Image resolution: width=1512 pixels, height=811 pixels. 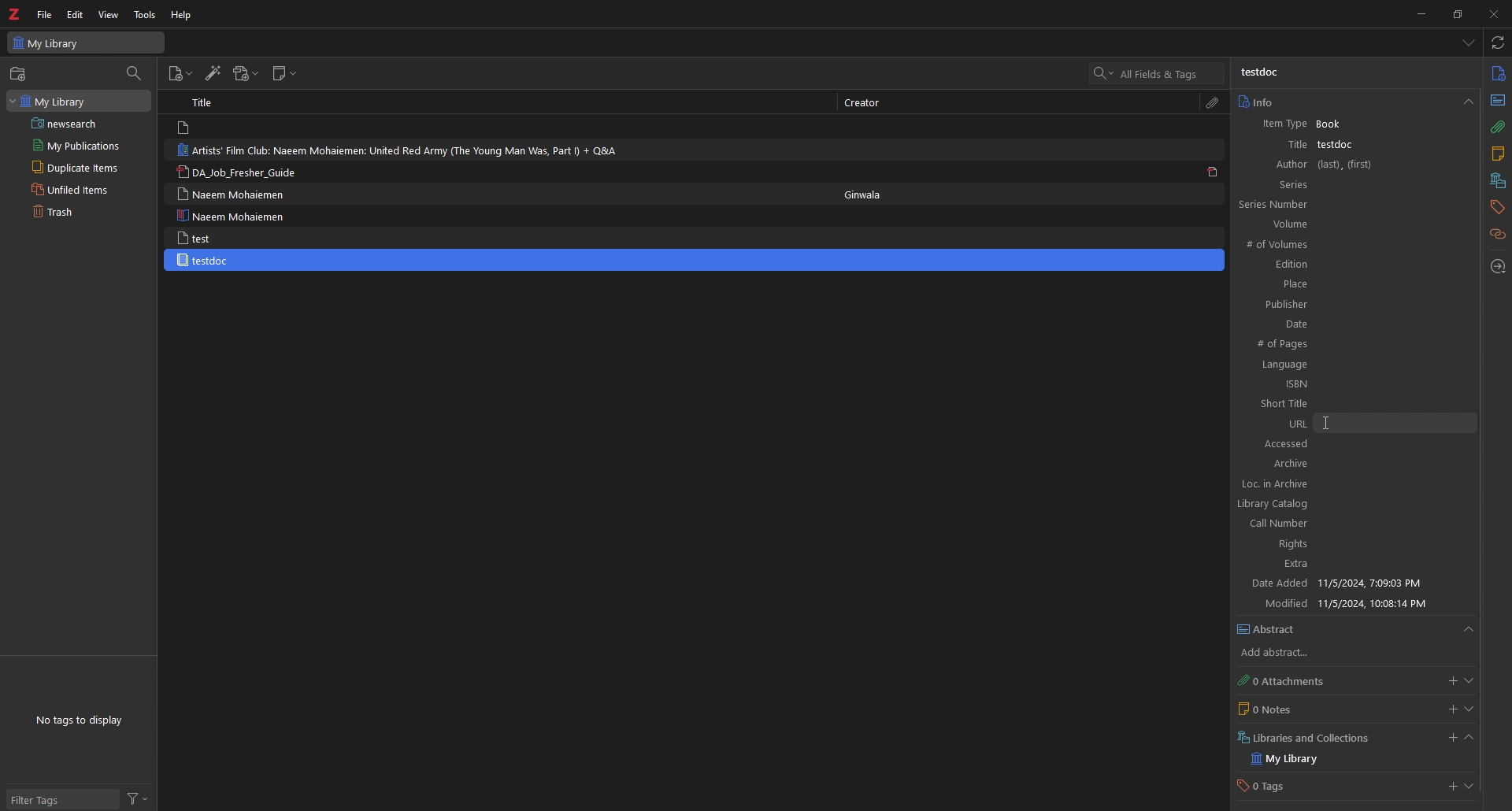 What do you see at coordinates (1450, 680) in the screenshot?
I see `add attachments` at bounding box center [1450, 680].